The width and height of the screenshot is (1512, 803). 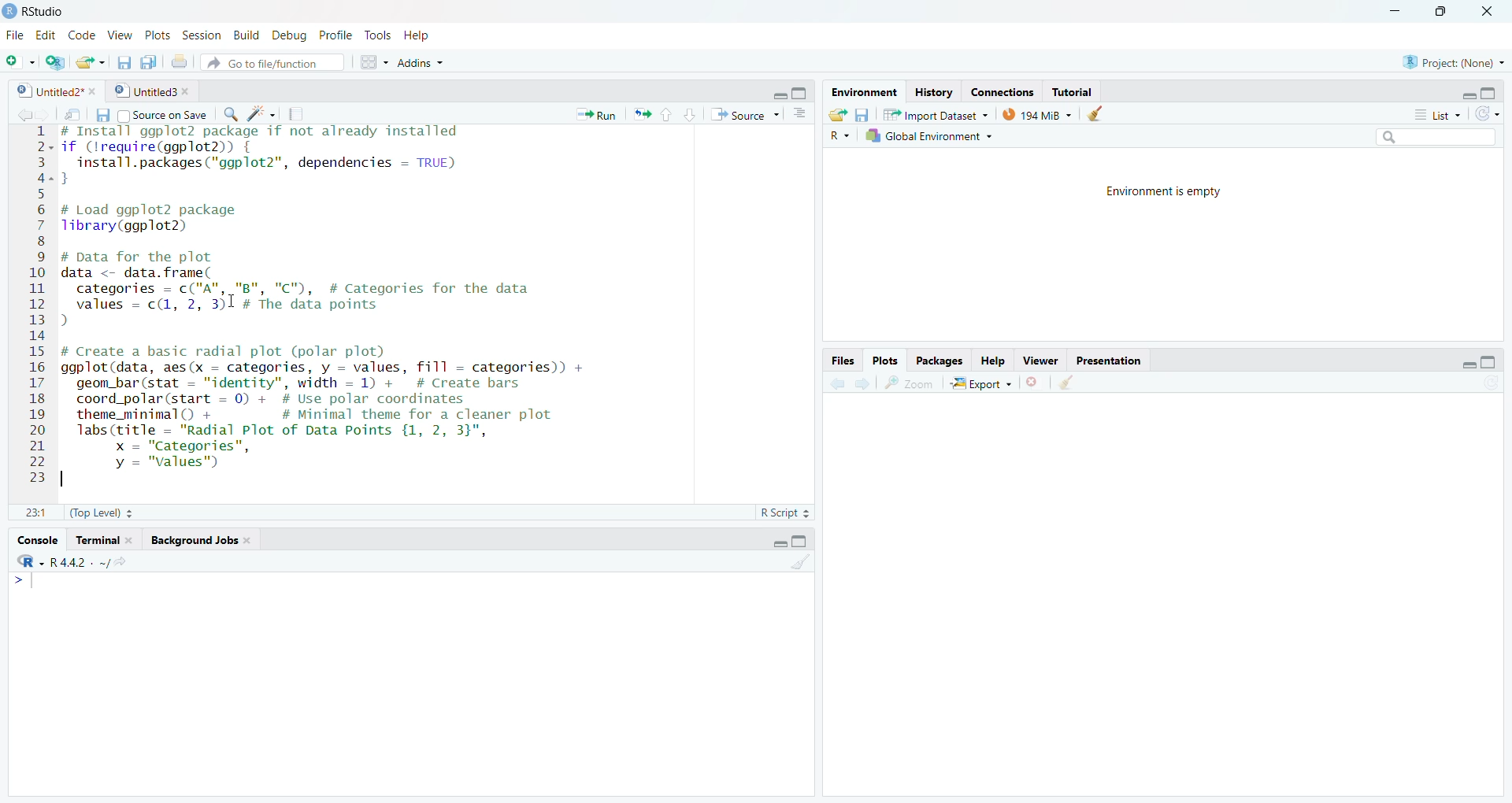 I want to click on print the current file, so click(x=182, y=62).